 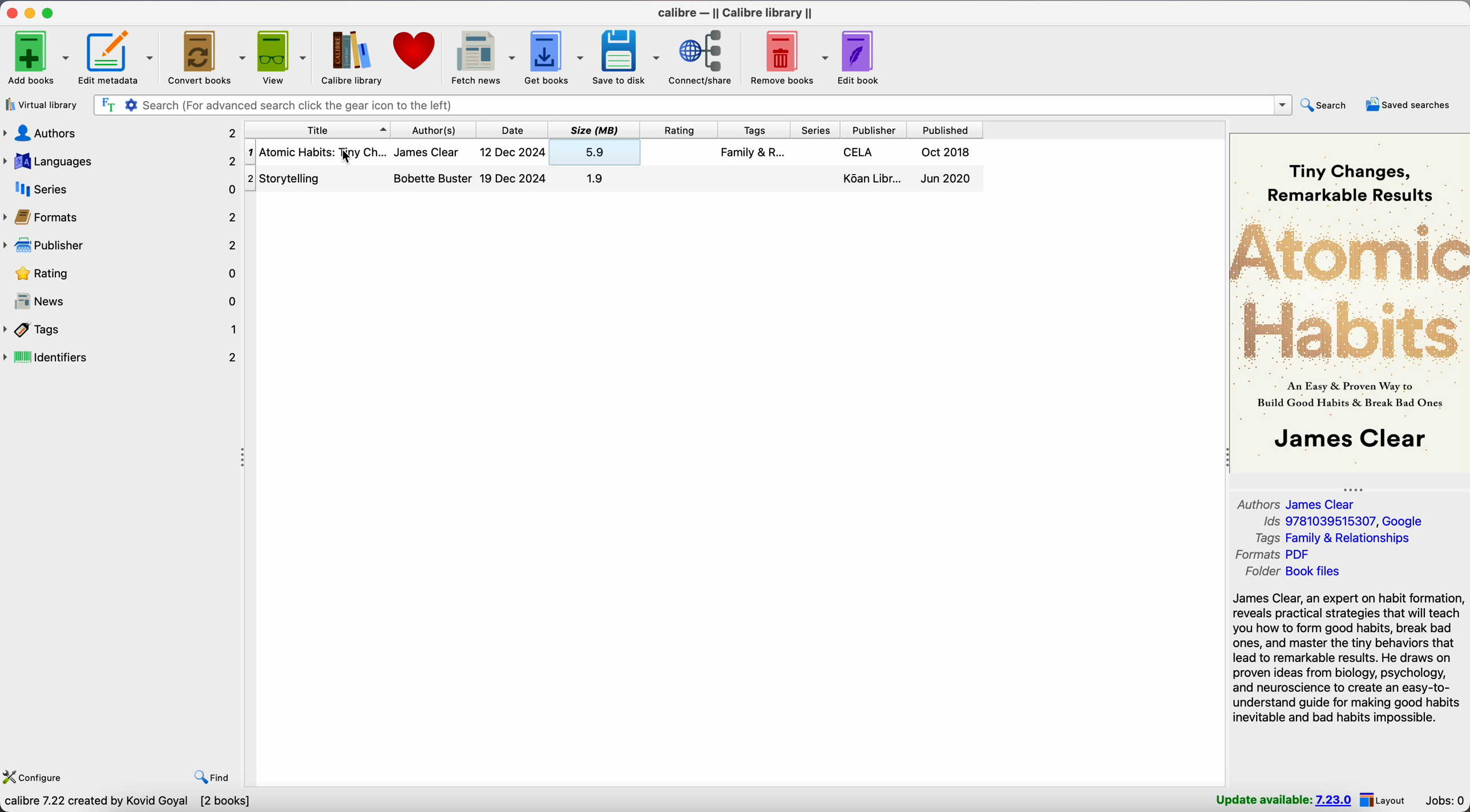 What do you see at coordinates (1327, 104) in the screenshot?
I see `search` at bounding box center [1327, 104].